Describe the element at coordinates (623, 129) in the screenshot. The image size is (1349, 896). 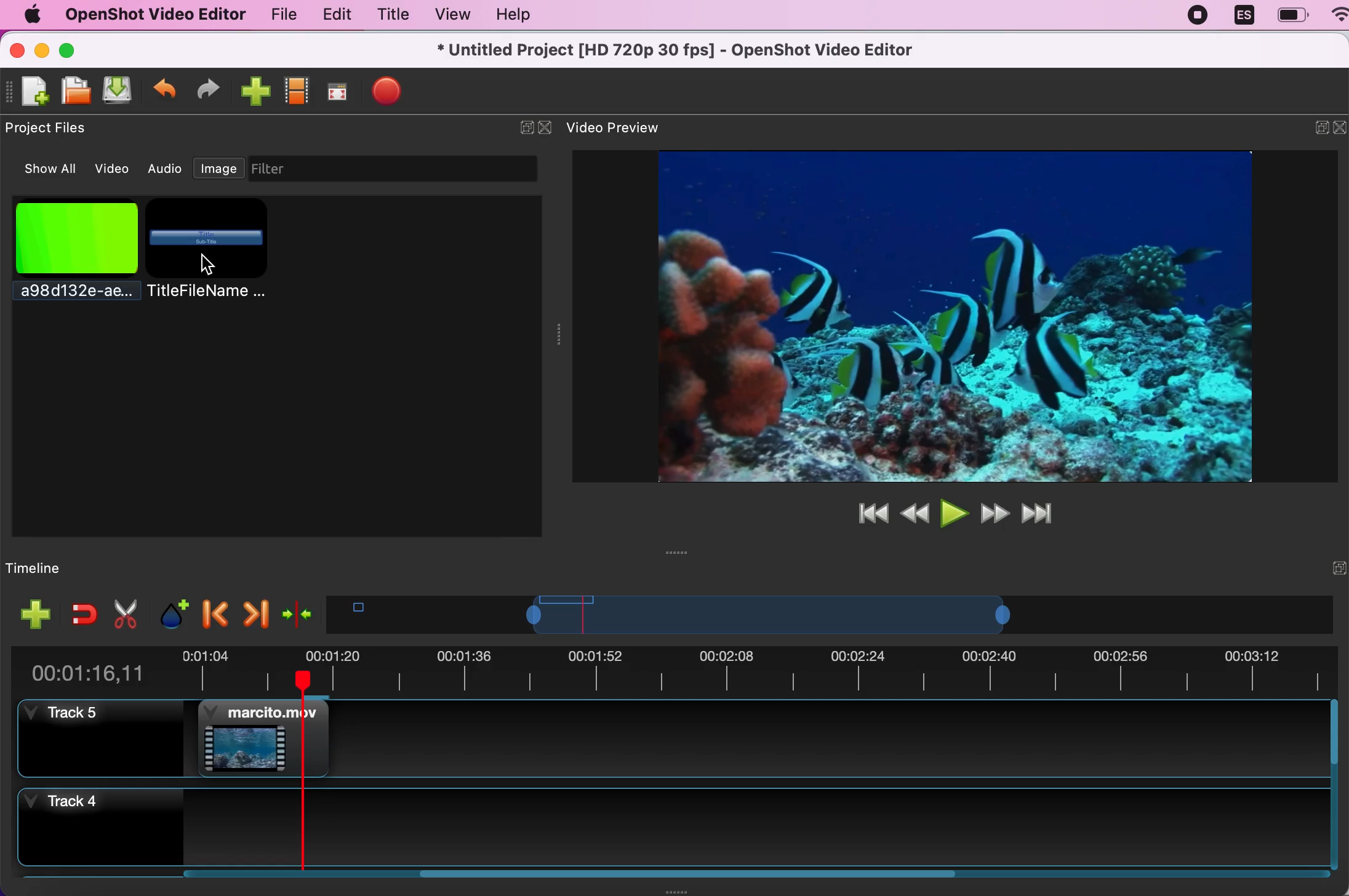
I see `video preview` at that location.